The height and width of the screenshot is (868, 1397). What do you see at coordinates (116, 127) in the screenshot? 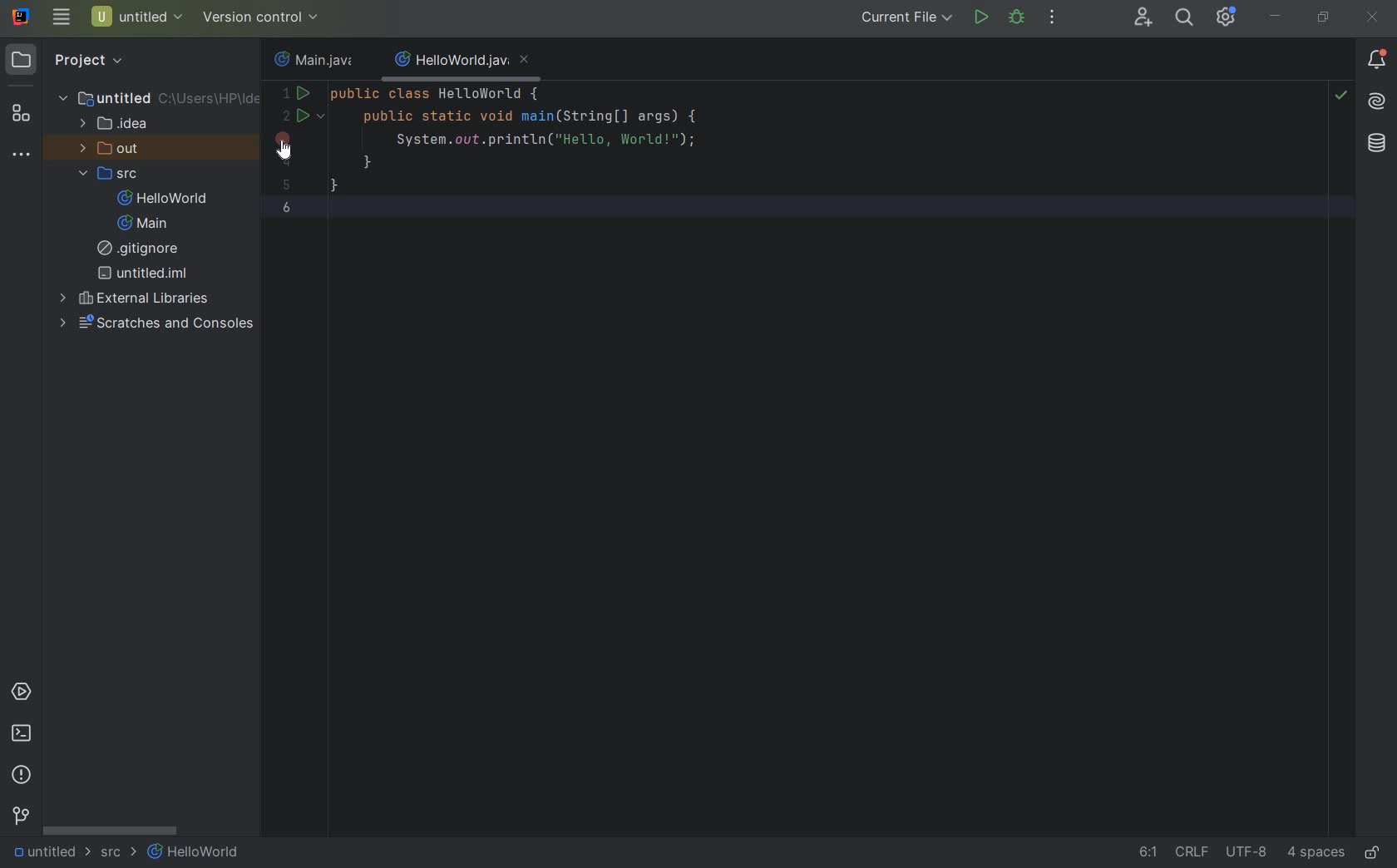
I see `idea` at bounding box center [116, 127].